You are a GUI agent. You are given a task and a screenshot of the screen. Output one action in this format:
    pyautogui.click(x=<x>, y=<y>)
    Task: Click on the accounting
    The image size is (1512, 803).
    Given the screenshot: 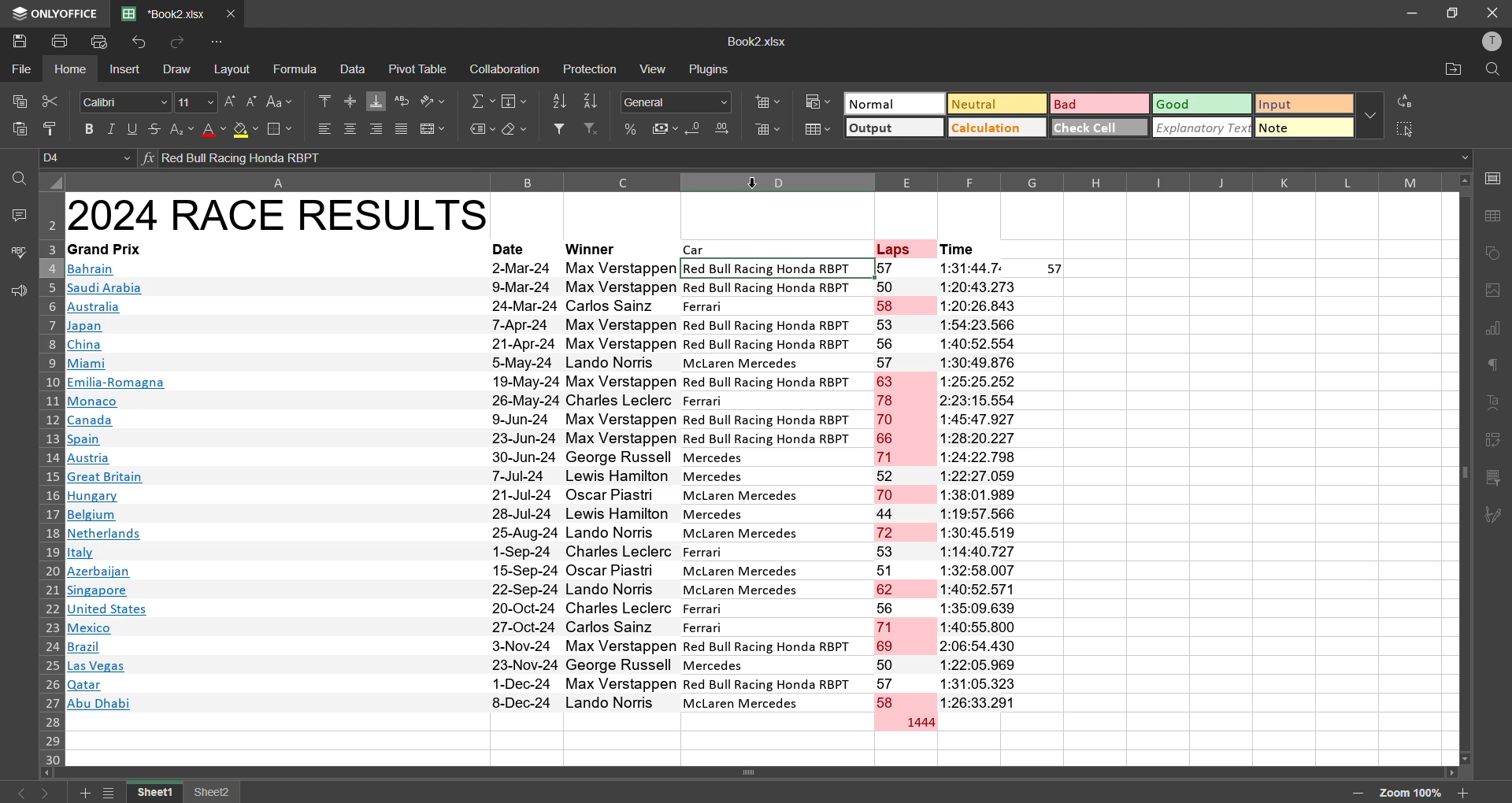 What is the action you would take?
    pyautogui.click(x=665, y=126)
    